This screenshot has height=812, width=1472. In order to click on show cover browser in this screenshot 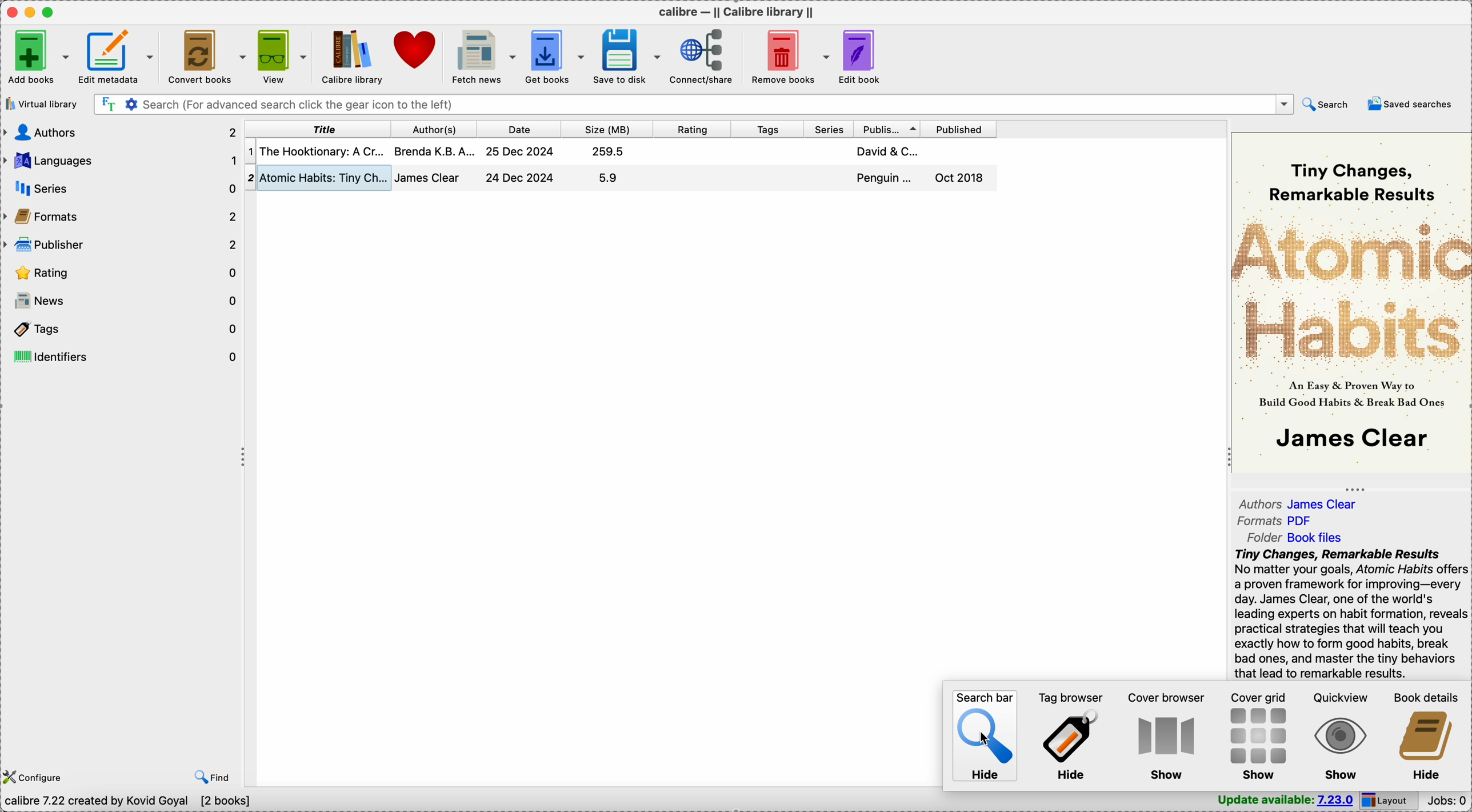, I will do `click(1161, 738)`.